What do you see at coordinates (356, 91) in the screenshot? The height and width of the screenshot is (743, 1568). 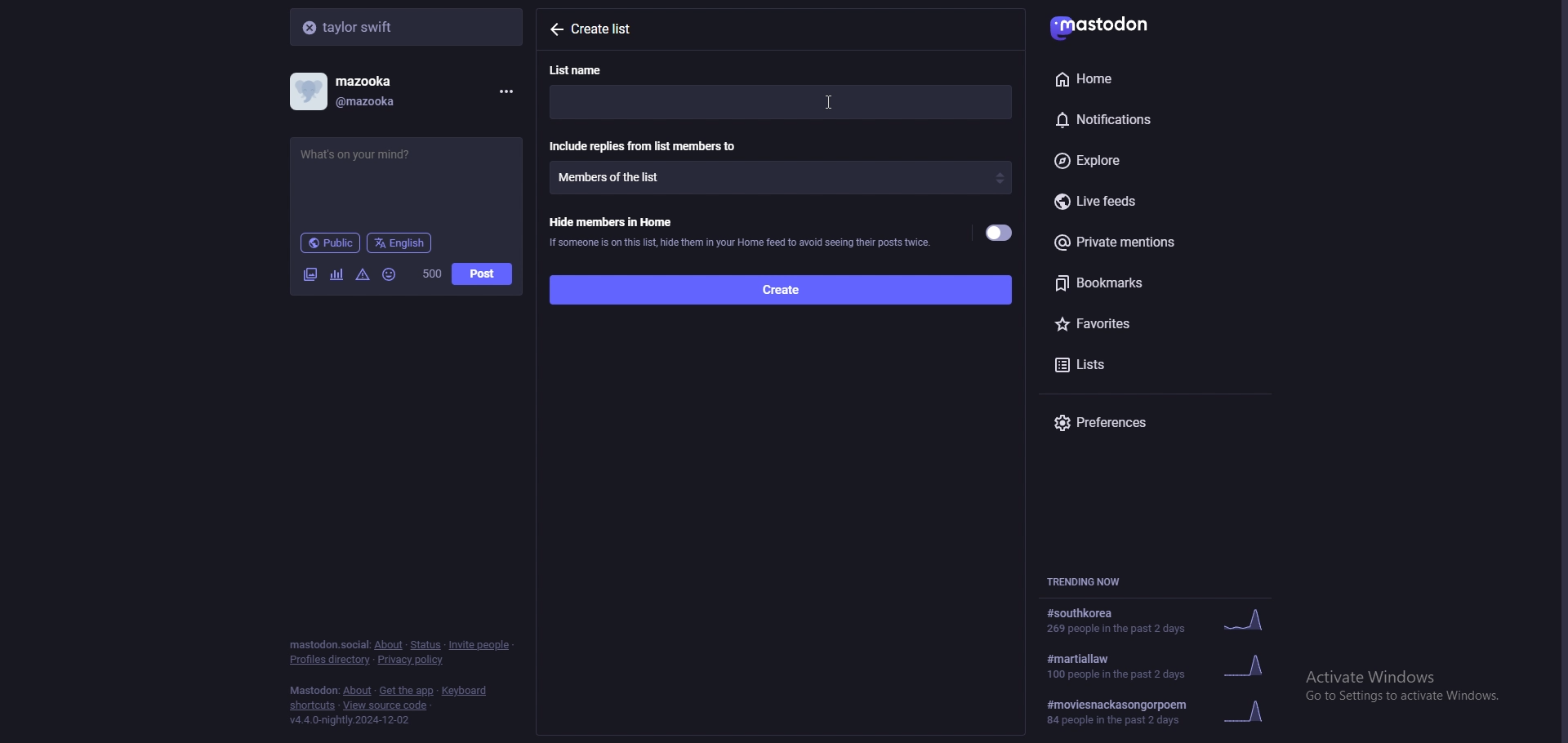 I see `profile` at bounding box center [356, 91].